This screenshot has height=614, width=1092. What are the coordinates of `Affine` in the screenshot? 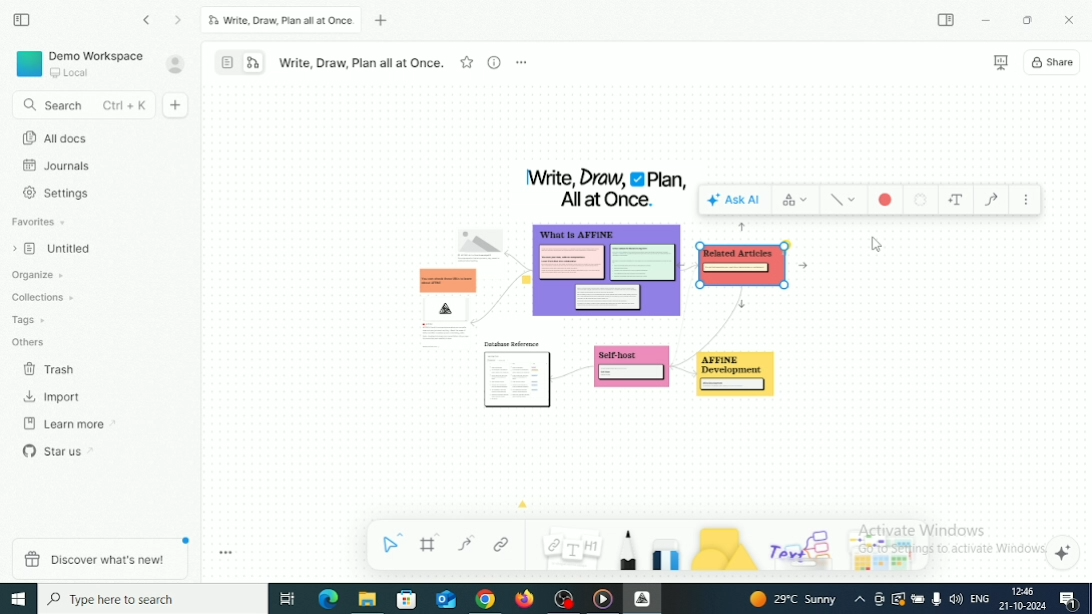 It's located at (642, 598).